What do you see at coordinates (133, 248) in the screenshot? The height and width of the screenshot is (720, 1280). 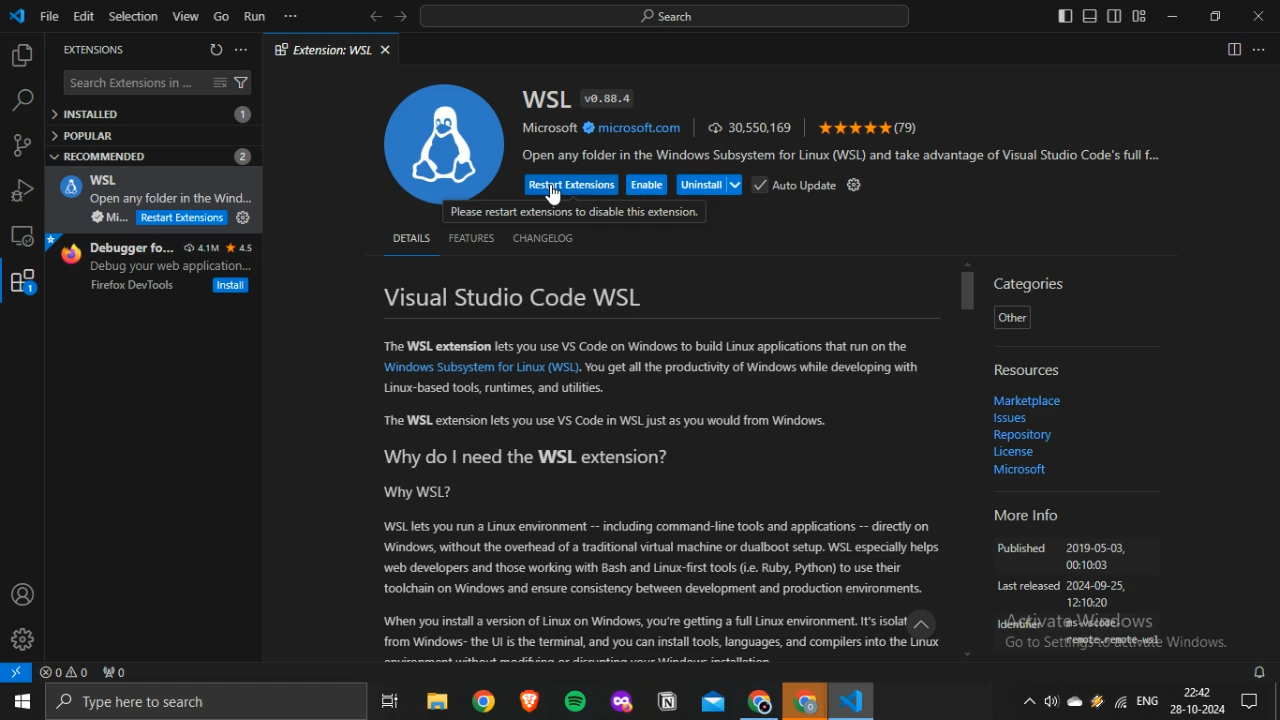 I see `Debugger fo...` at bounding box center [133, 248].